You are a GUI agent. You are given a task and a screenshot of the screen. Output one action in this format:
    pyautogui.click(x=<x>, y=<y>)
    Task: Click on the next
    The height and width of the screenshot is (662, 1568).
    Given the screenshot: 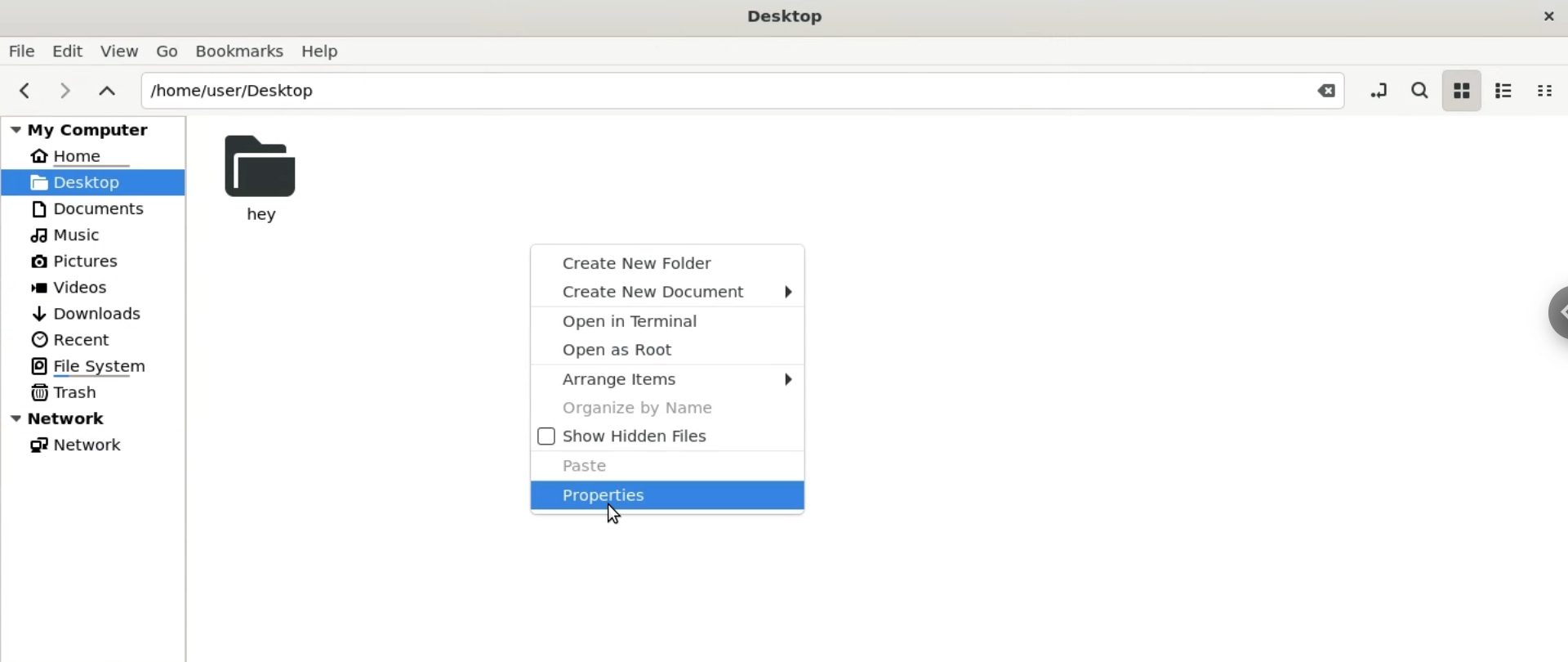 What is the action you would take?
    pyautogui.click(x=66, y=89)
    